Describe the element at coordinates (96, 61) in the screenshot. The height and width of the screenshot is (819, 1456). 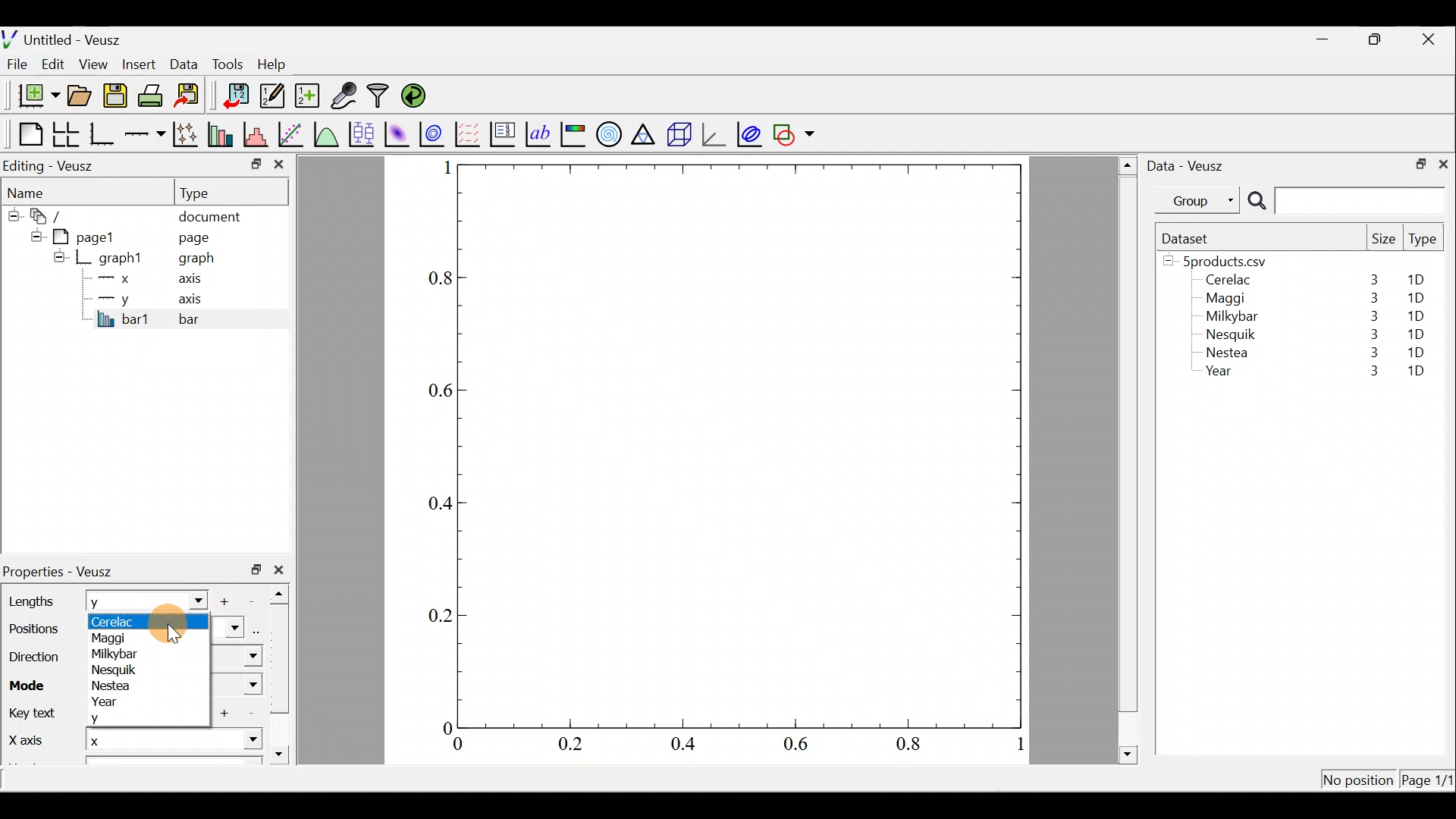
I see `View` at that location.